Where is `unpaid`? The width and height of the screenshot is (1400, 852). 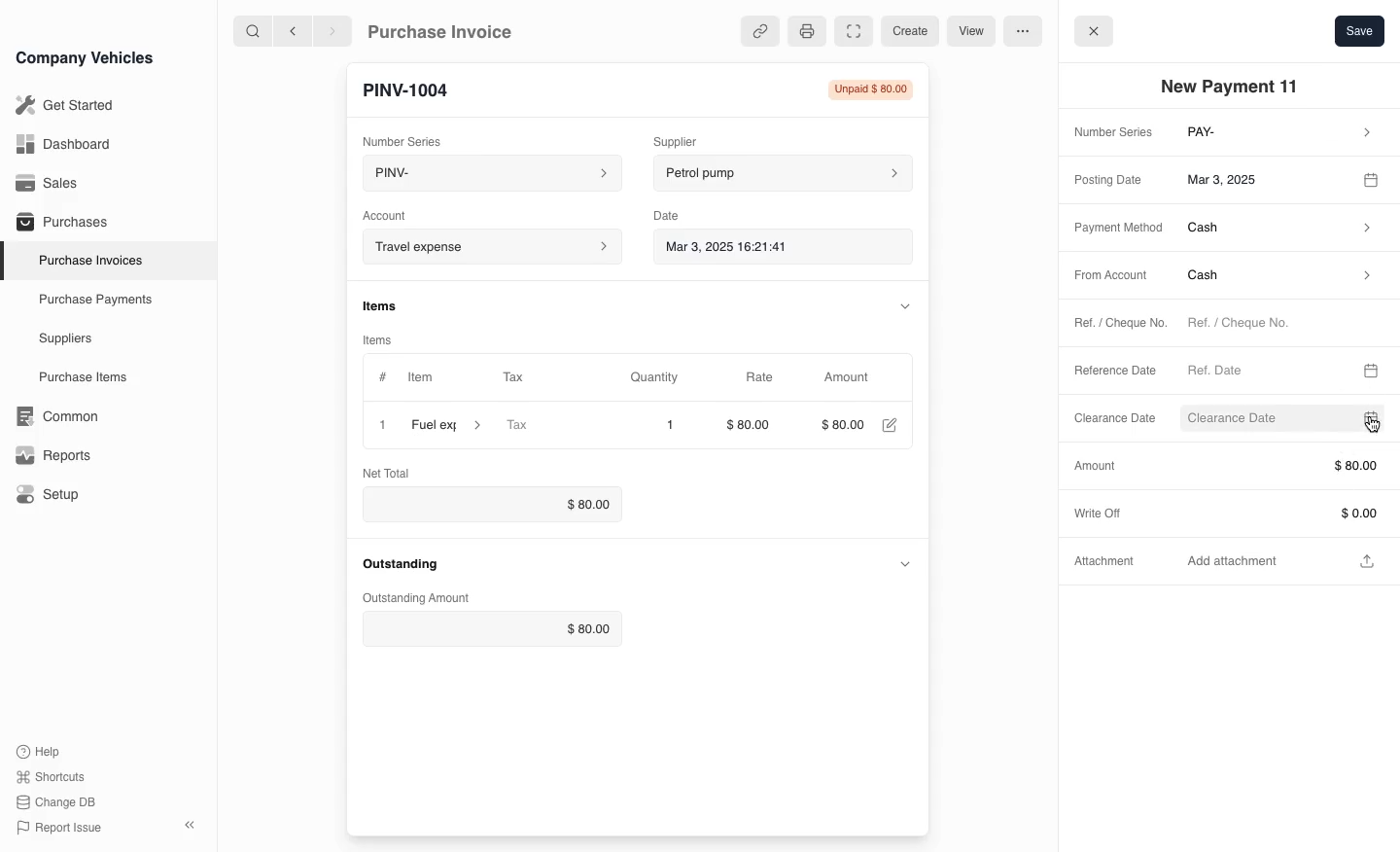 unpaid is located at coordinates (864, 89).